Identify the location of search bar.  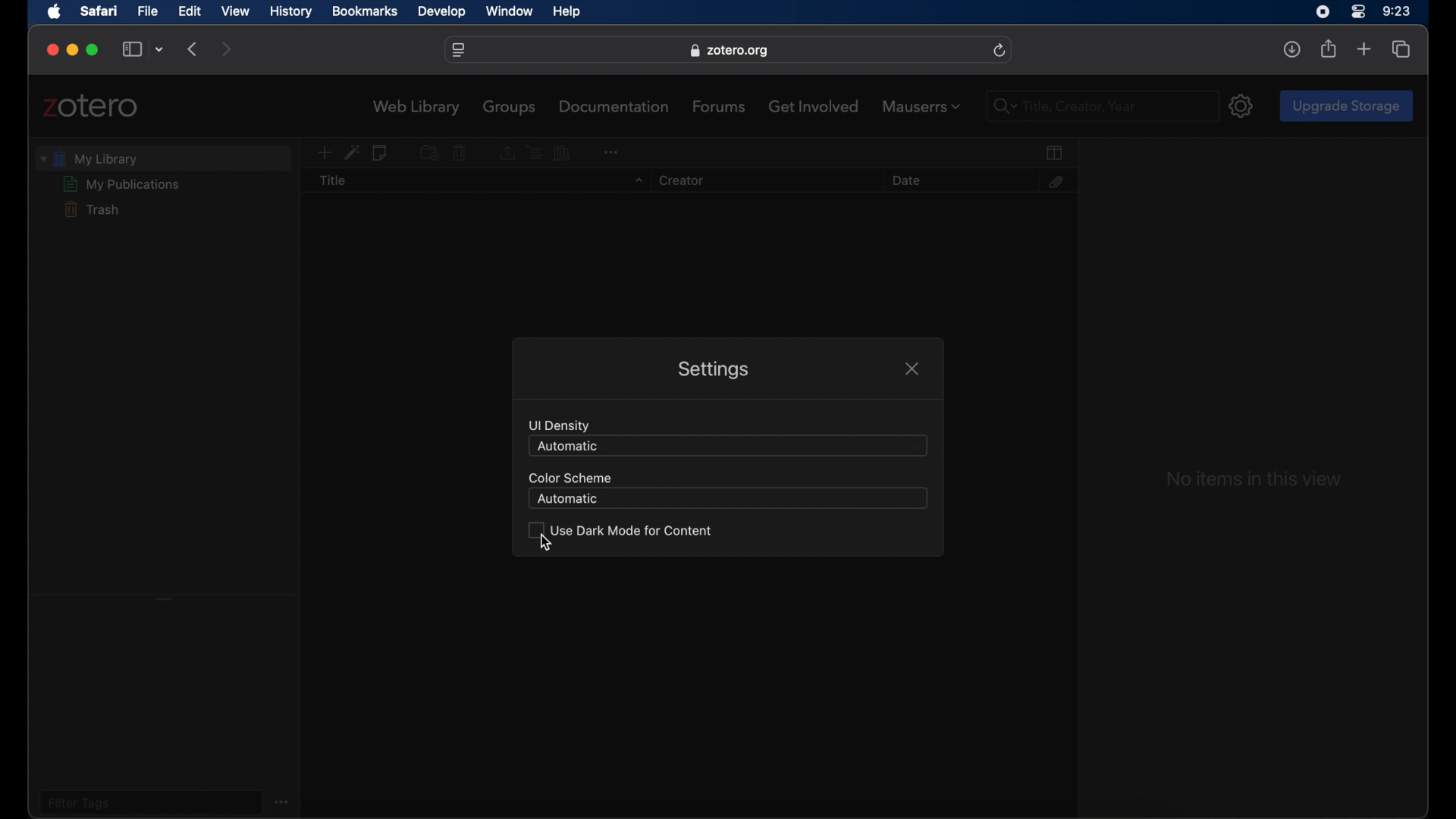
(1001, 107).